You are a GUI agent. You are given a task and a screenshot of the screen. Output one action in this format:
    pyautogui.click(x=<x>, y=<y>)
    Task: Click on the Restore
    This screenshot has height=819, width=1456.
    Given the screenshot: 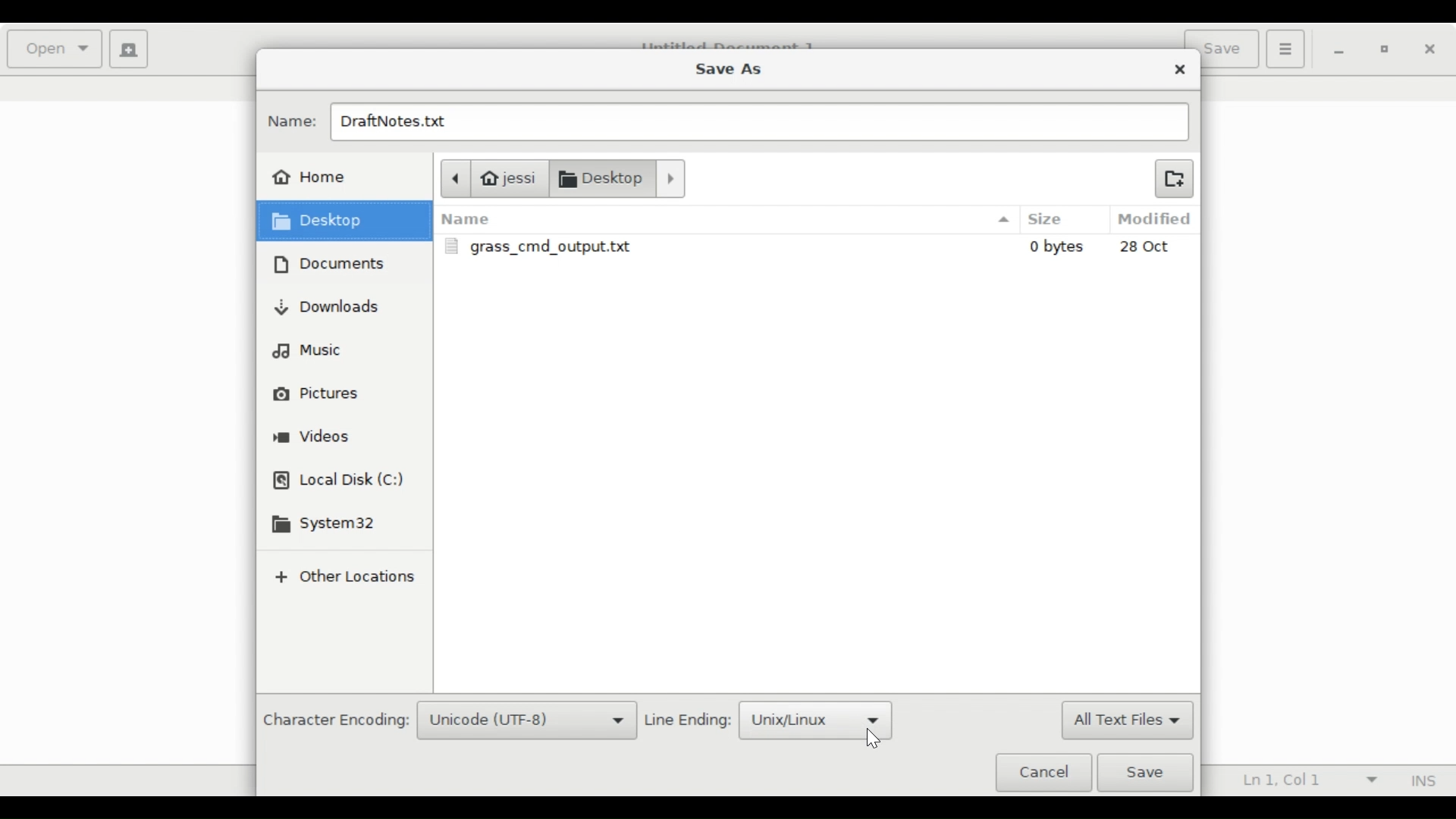 What is the action you would take?
    pyautogui.click(x=1386, y=52)
    